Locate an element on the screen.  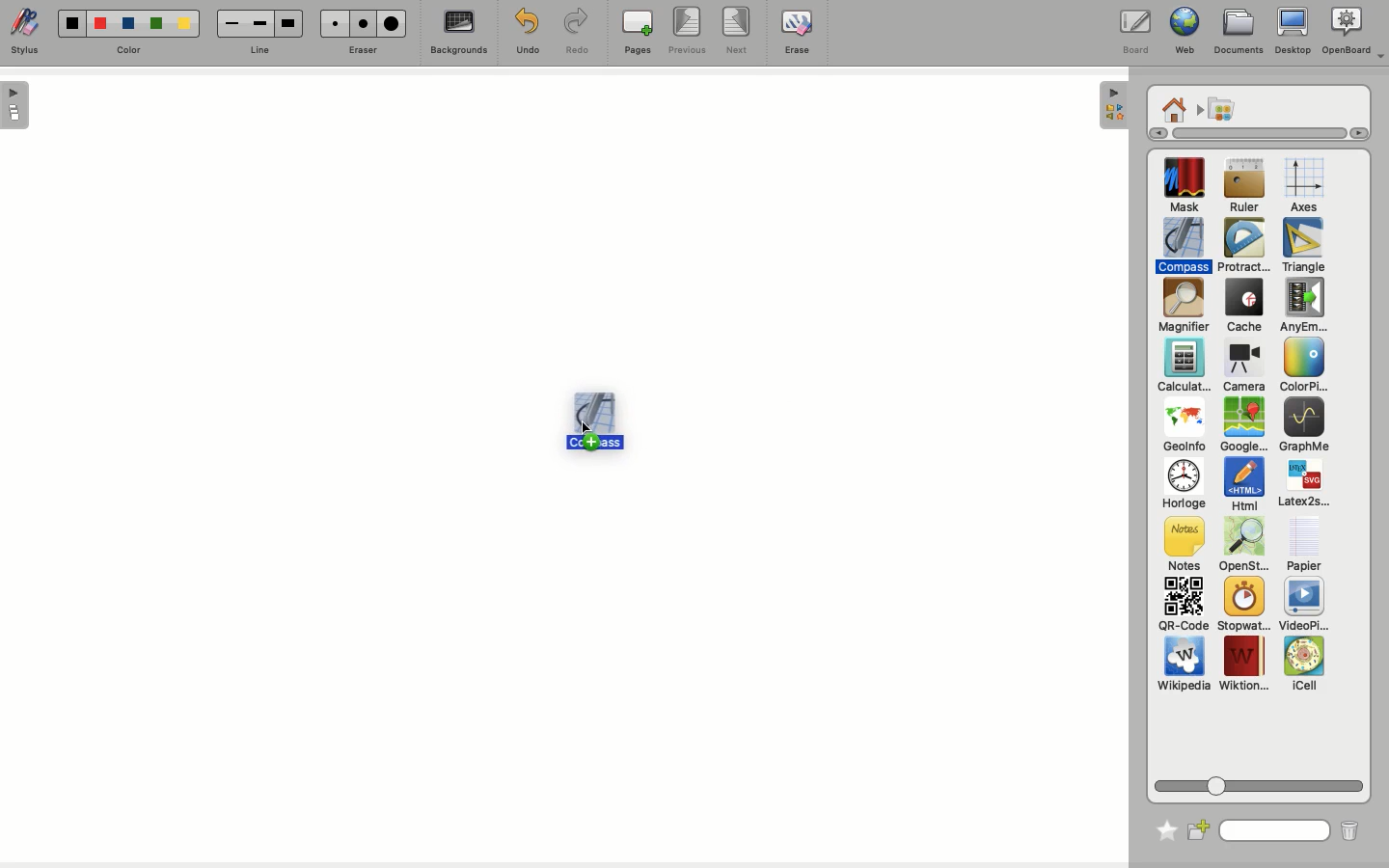
eraser2 is located at coordinates (363, 23).